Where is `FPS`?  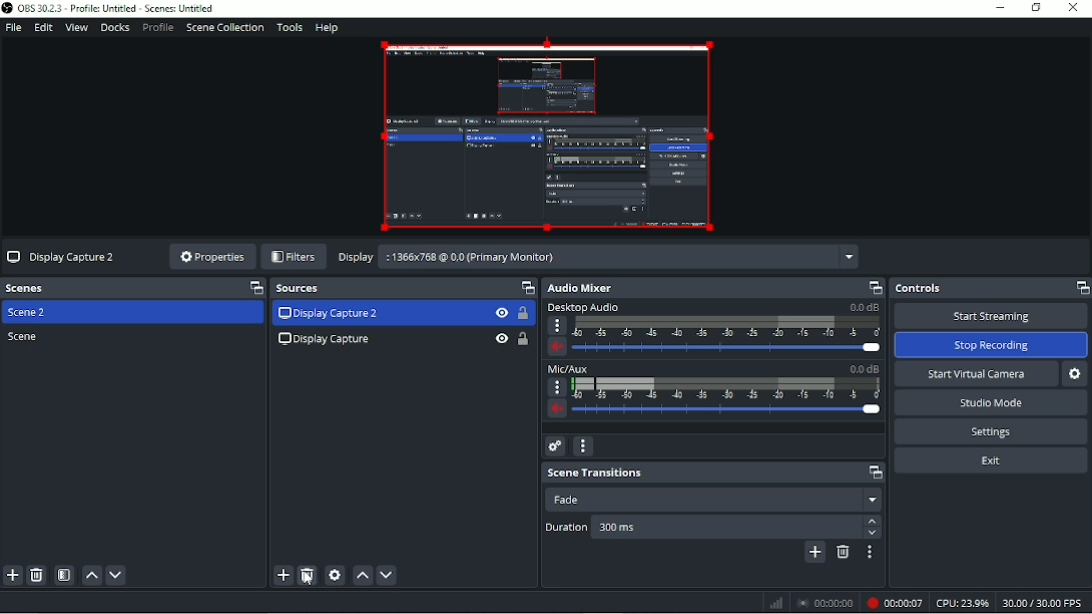 FPS is located at coordinates (1044, 604).